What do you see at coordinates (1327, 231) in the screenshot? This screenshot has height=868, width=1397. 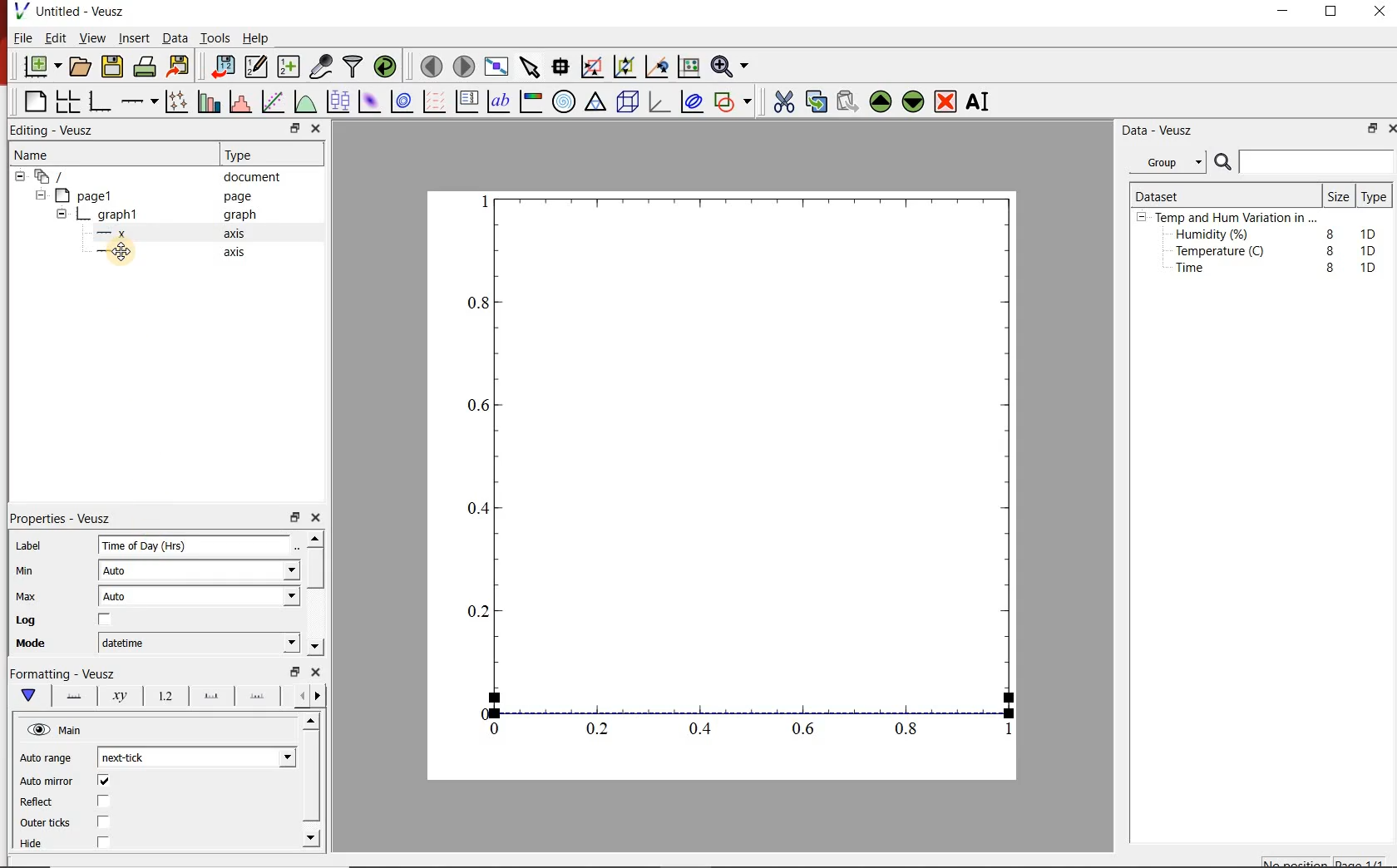 I see `8` at bounding box center [1327, 231].